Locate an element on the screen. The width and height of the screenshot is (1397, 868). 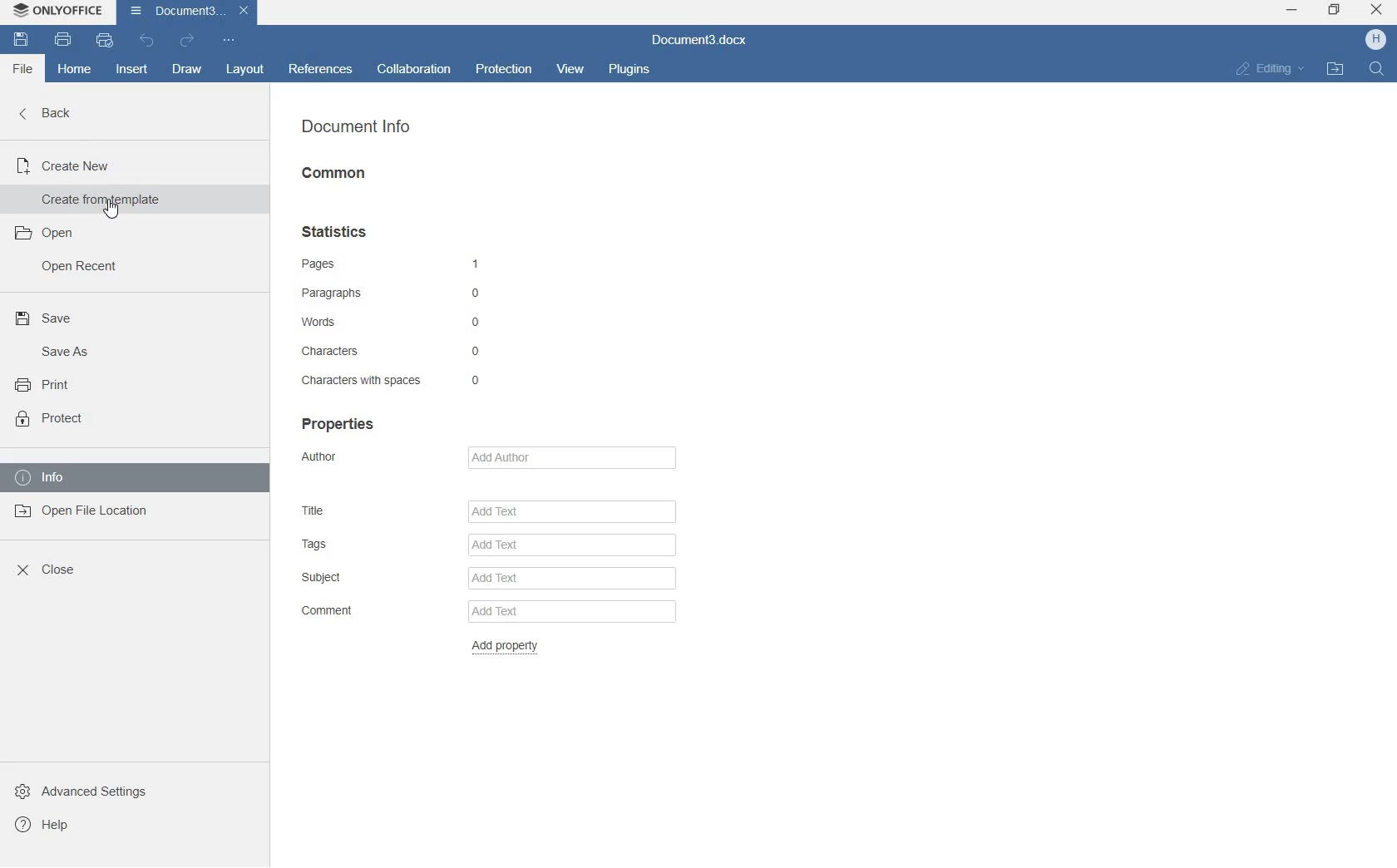
characters with spaces 0 is located at coordinates (390, 381).